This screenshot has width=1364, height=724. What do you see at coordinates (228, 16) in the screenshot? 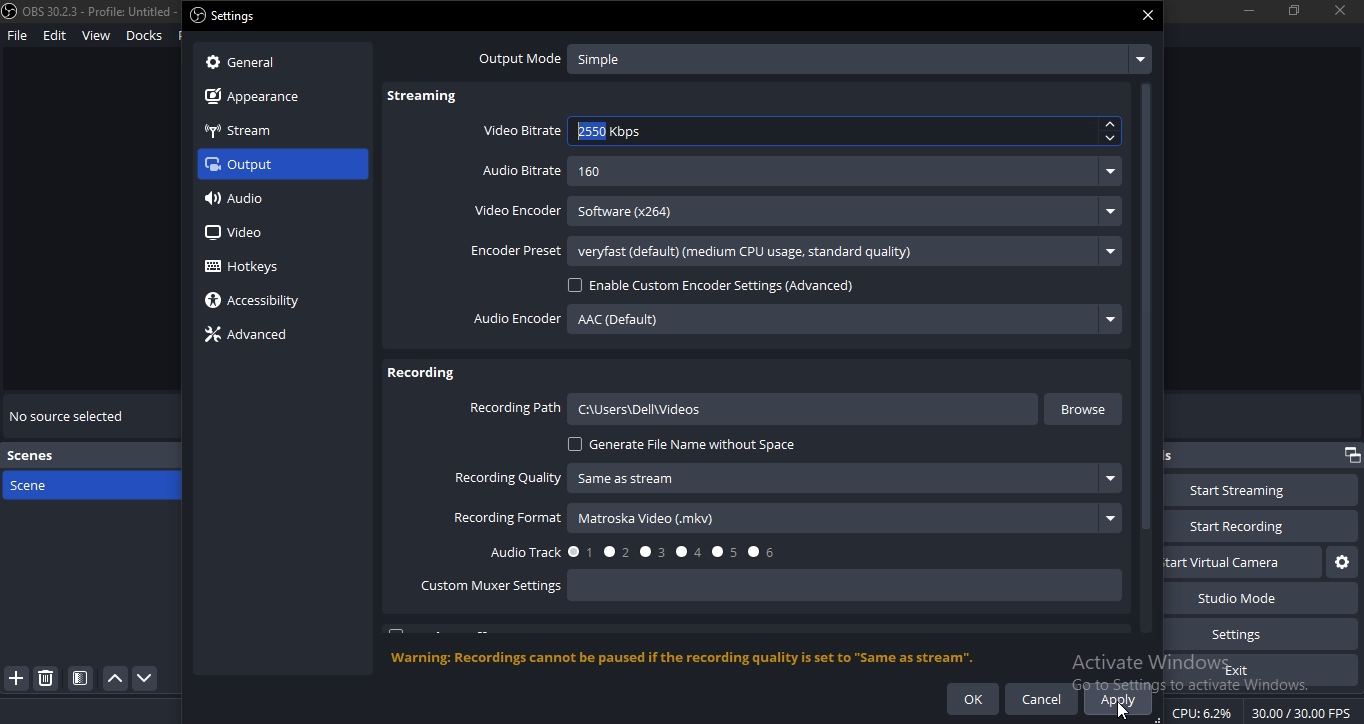
I see `settings` at bounding box center [228, 16].